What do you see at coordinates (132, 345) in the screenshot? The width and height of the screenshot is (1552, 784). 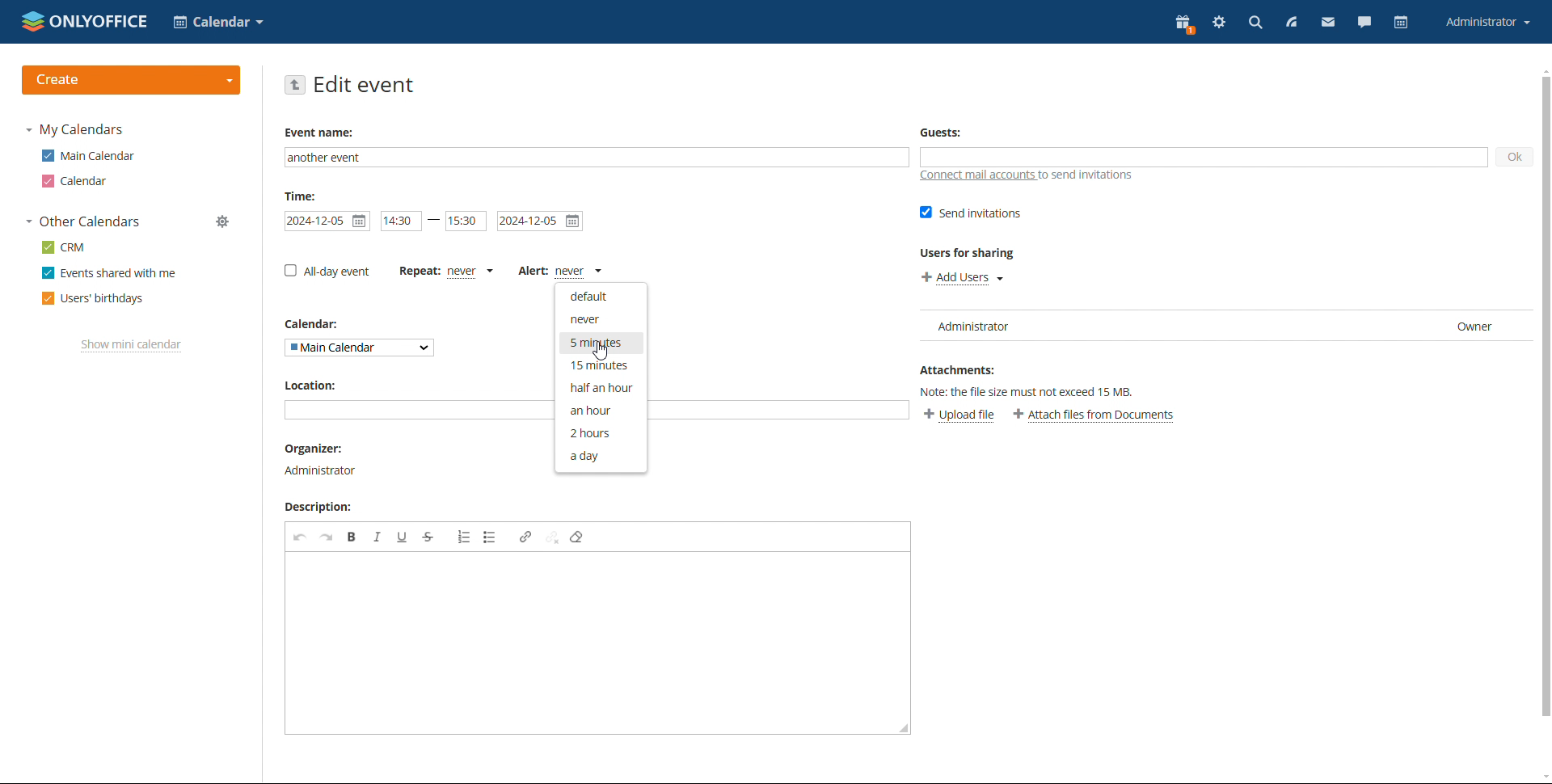 I see `show mini calendar` at bounding box center [132, 345].